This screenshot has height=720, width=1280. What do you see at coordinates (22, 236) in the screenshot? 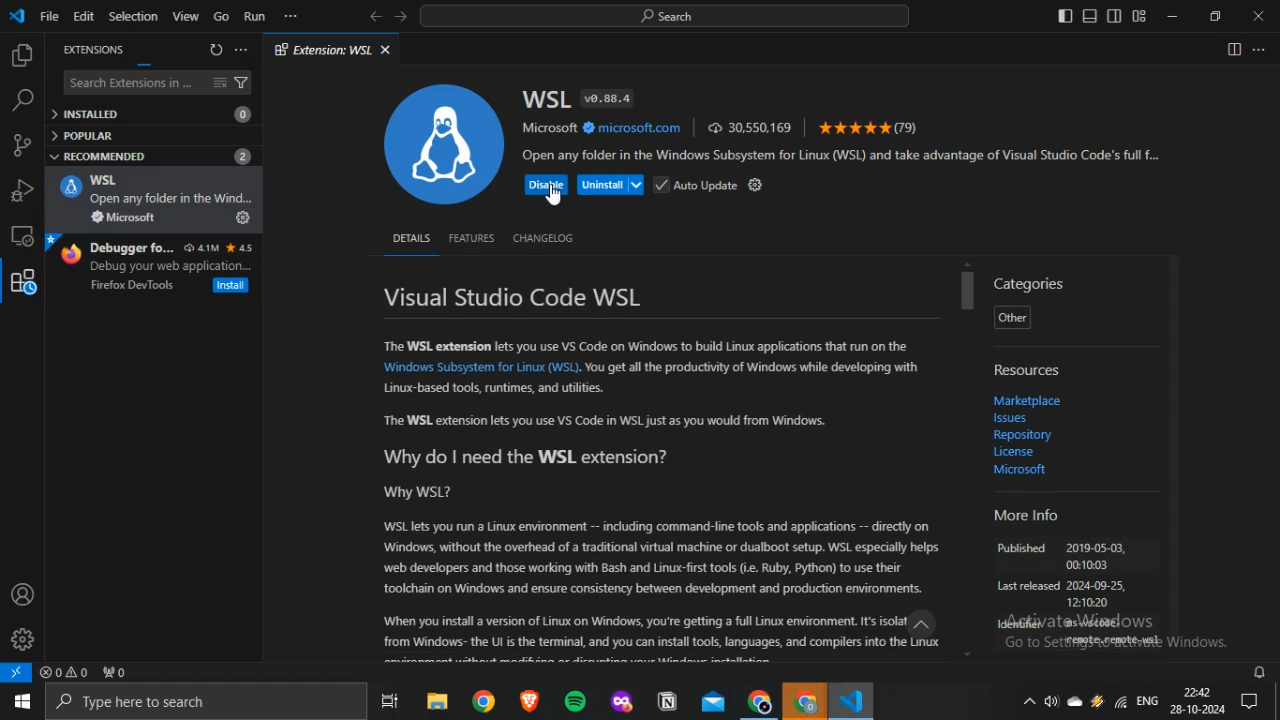
I see `screen` at bounding box center [22, 236].